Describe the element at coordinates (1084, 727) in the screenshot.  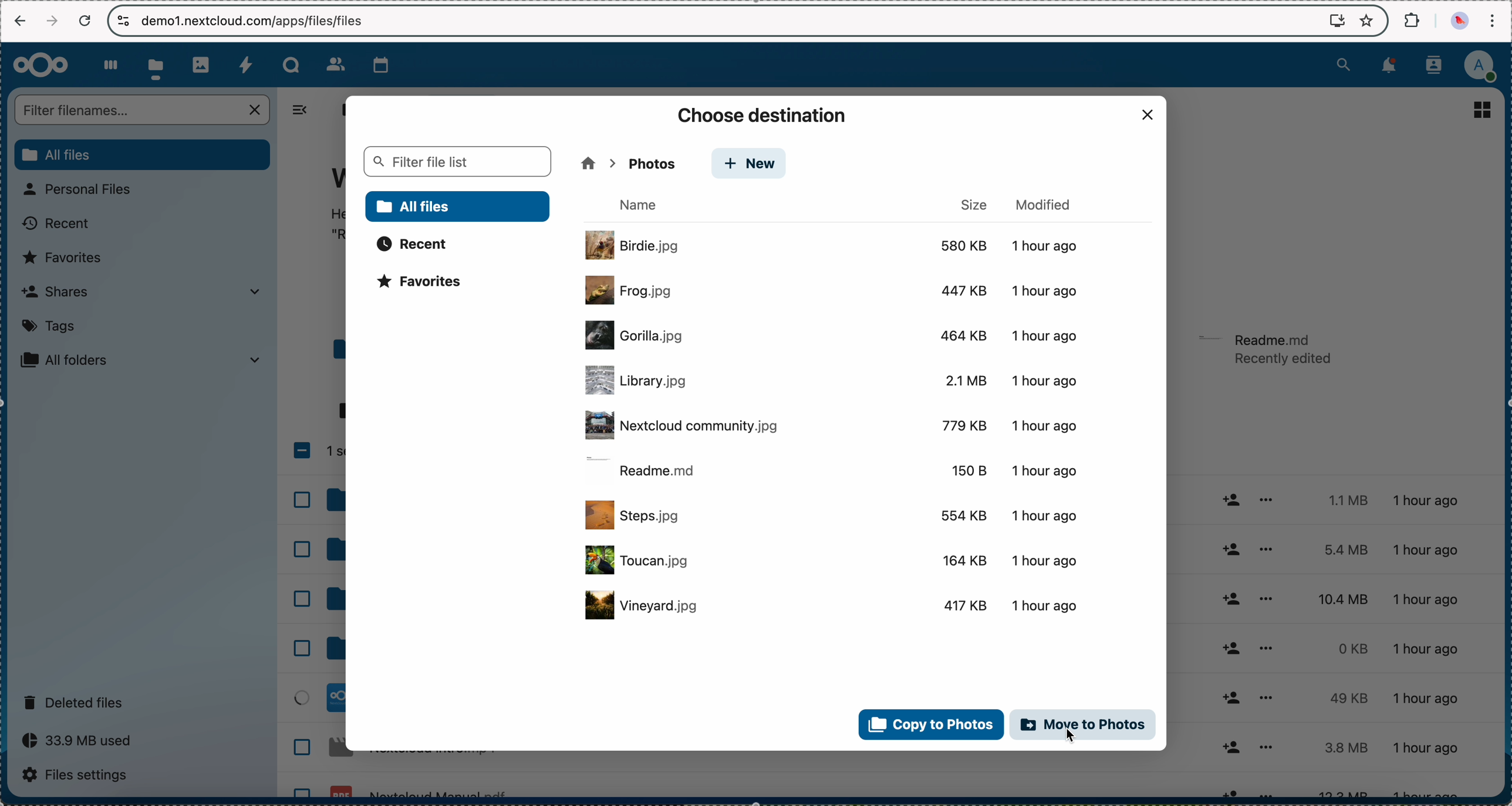
I see `click on move to photos` at that location.